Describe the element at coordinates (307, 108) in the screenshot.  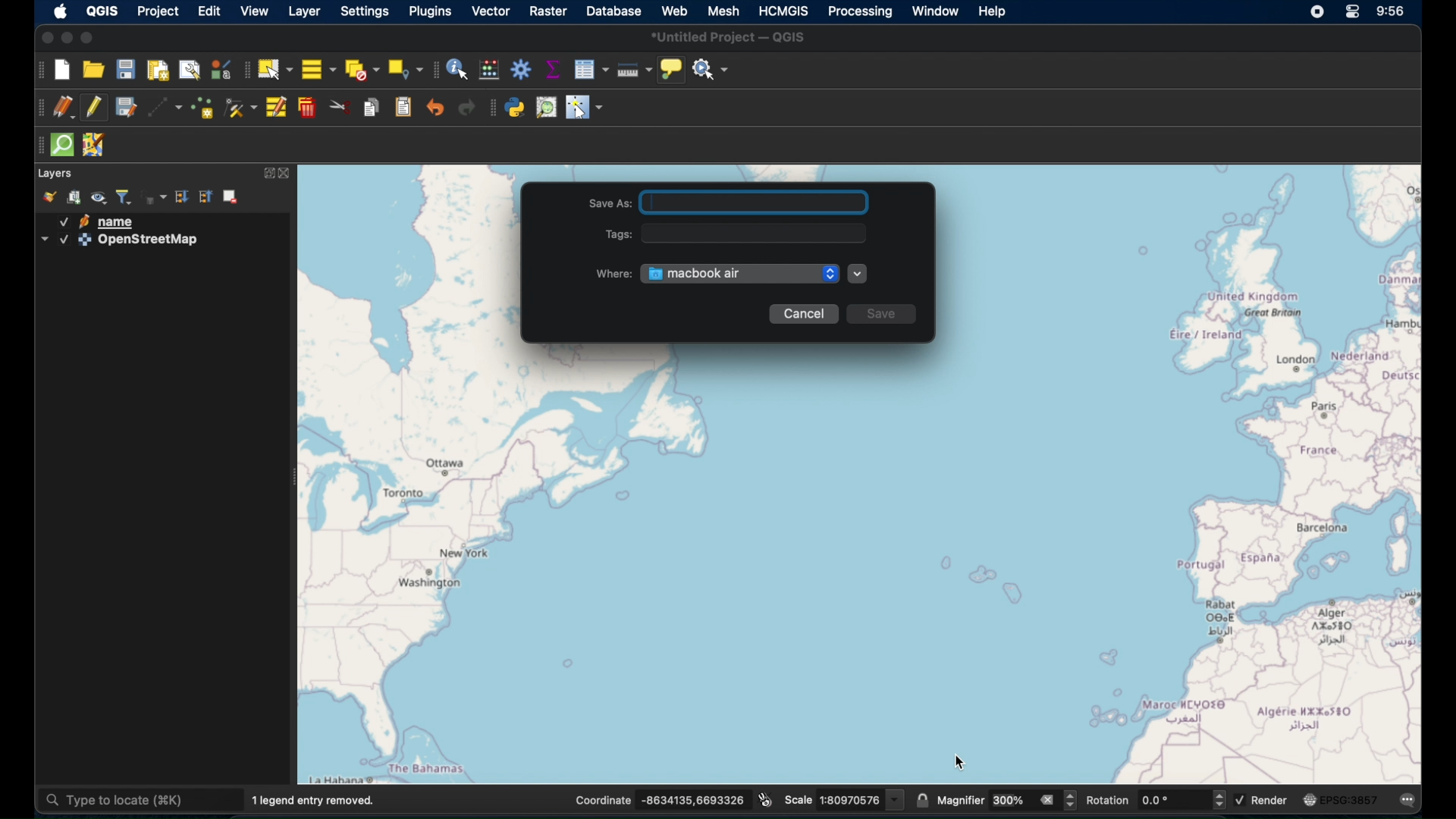
I see `delete selected` at that location.